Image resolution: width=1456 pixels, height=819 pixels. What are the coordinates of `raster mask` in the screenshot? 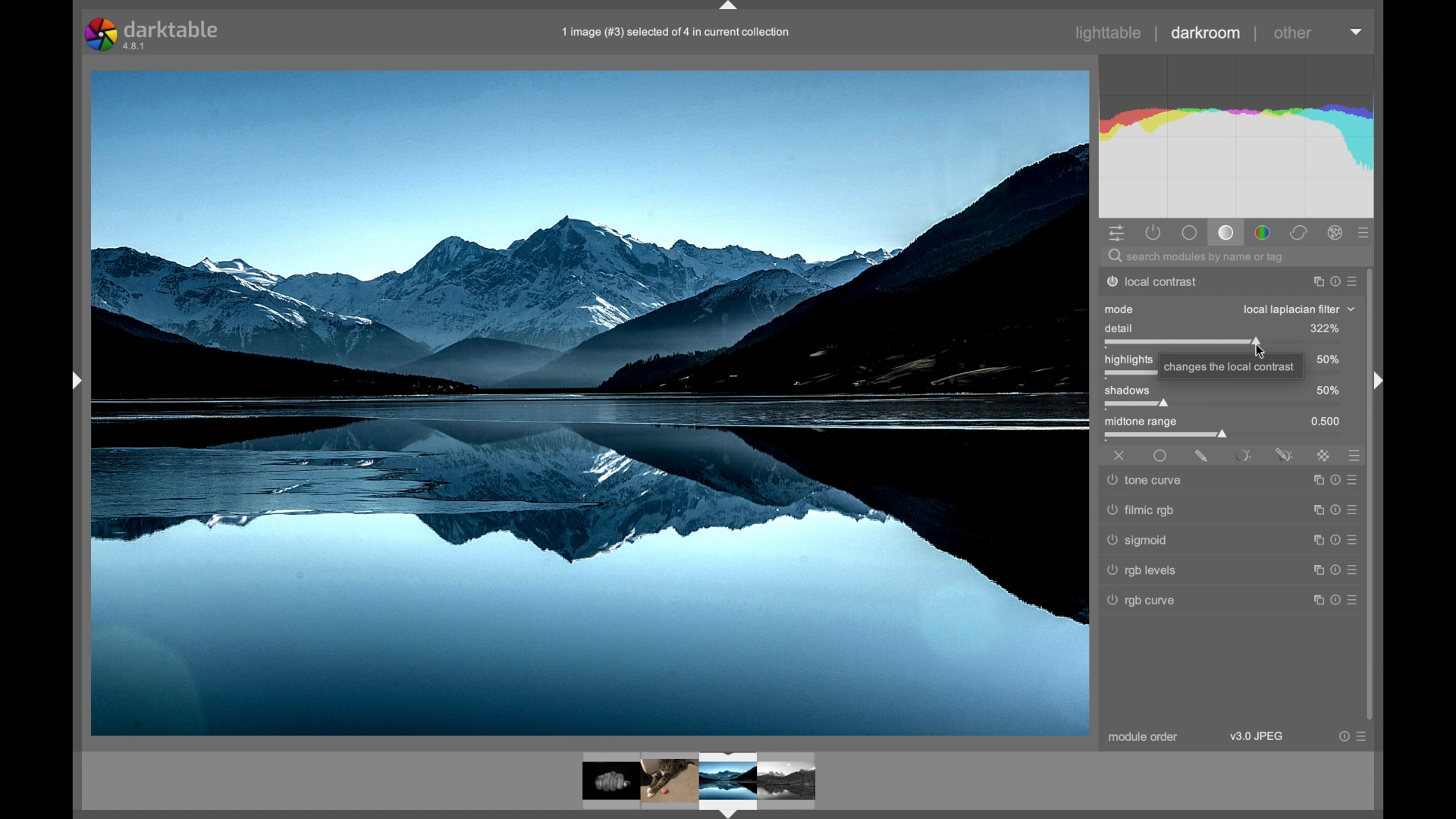 It's located at (1323, 455).